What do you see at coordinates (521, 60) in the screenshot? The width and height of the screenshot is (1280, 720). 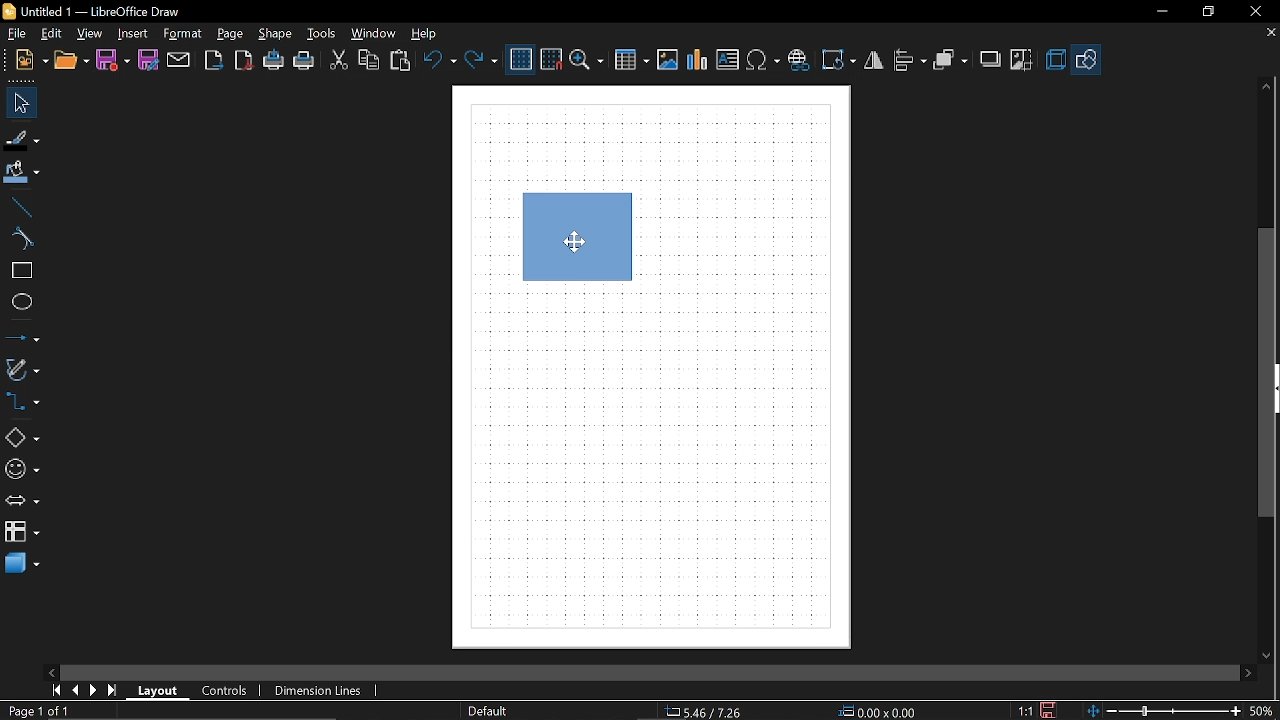 I see `grid` at bounding box center [521, 60].